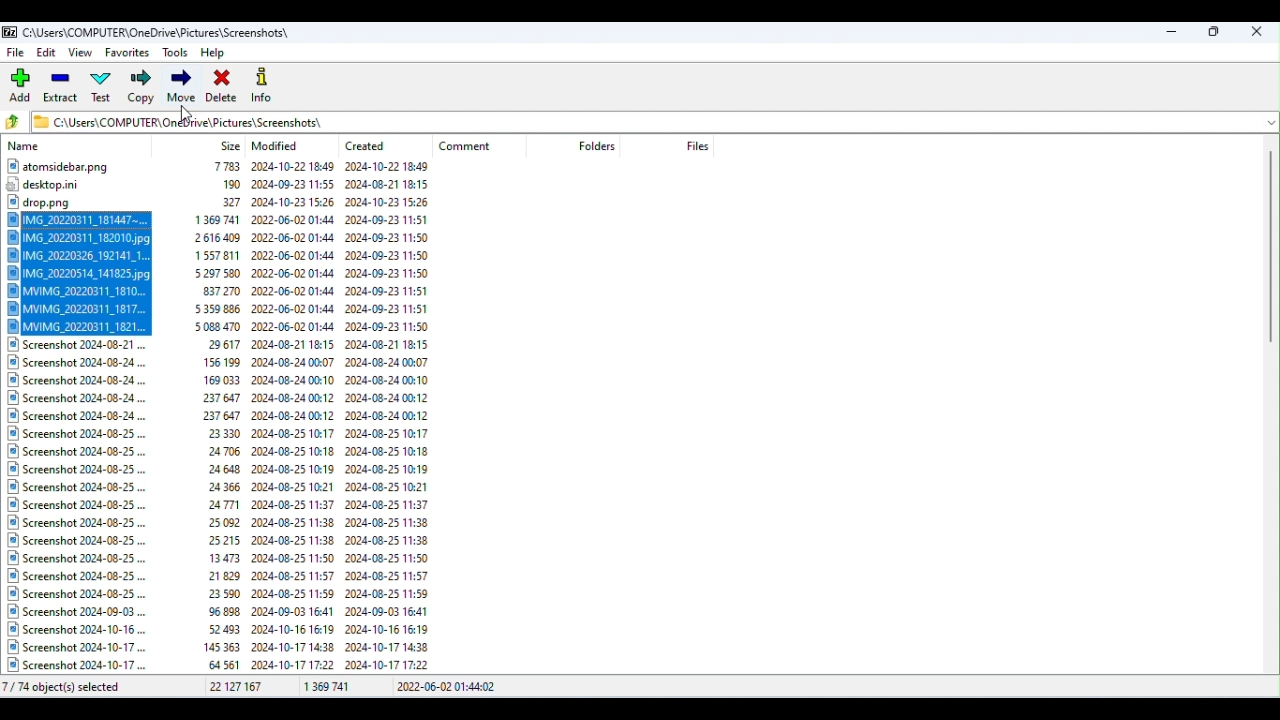  I want to click on Cursor, so click(185, 118).